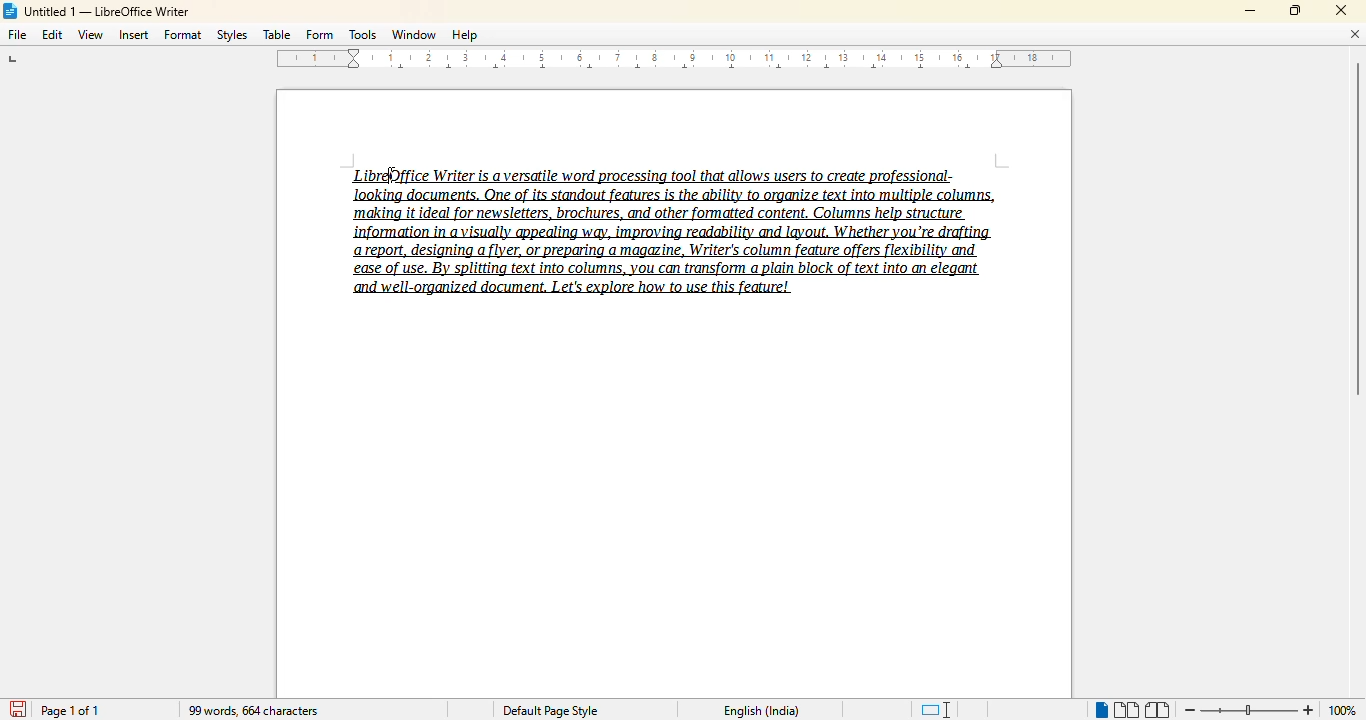  Describe the element at coordinates (675, 60) in the screenshot. I see `ruler` at that location.